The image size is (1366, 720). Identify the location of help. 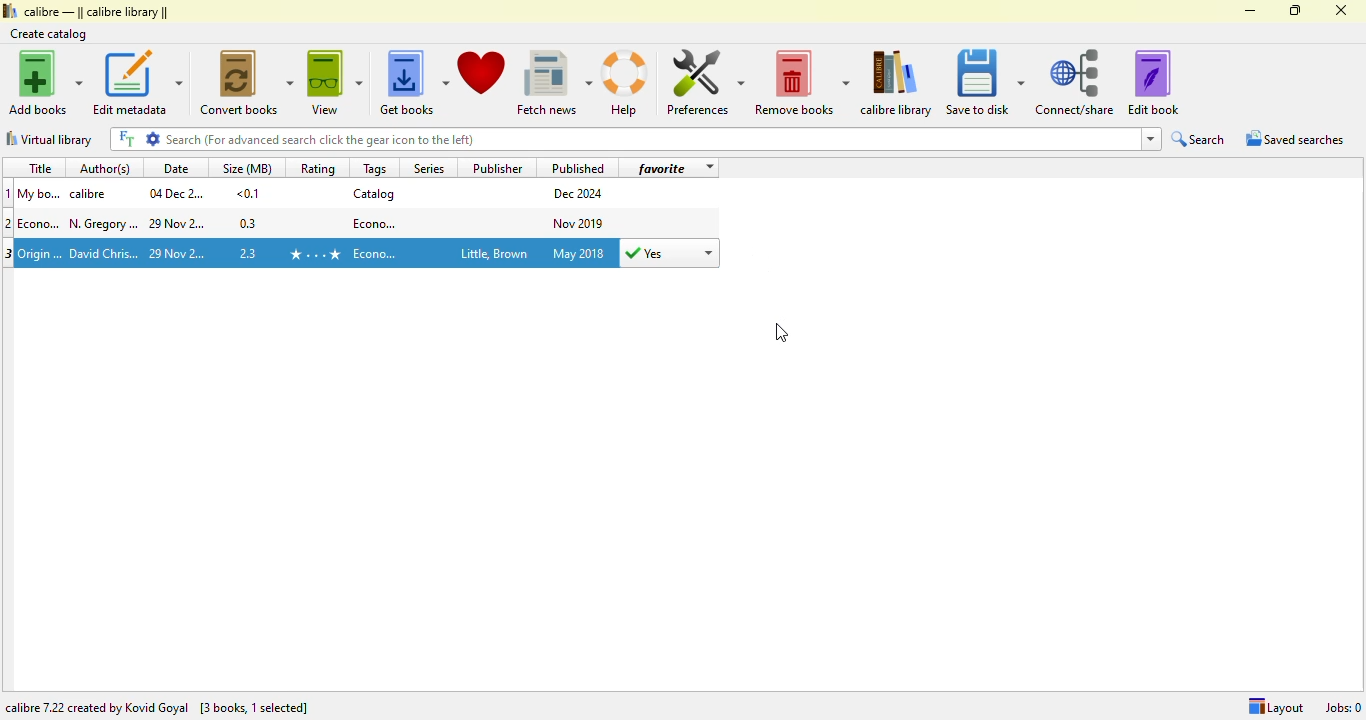
(625, 84).